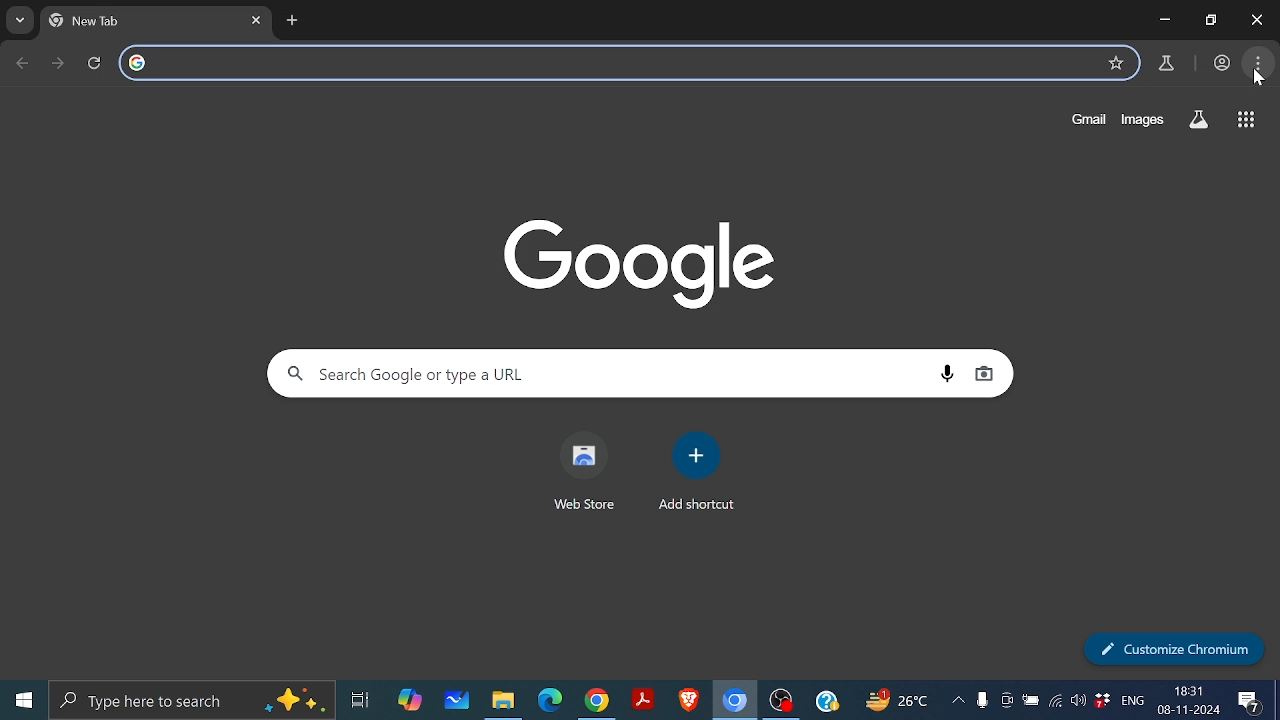  What do you see at coordinates (899, 703) in the screenshot?
I see `weather` at bounding box center [899, 703].